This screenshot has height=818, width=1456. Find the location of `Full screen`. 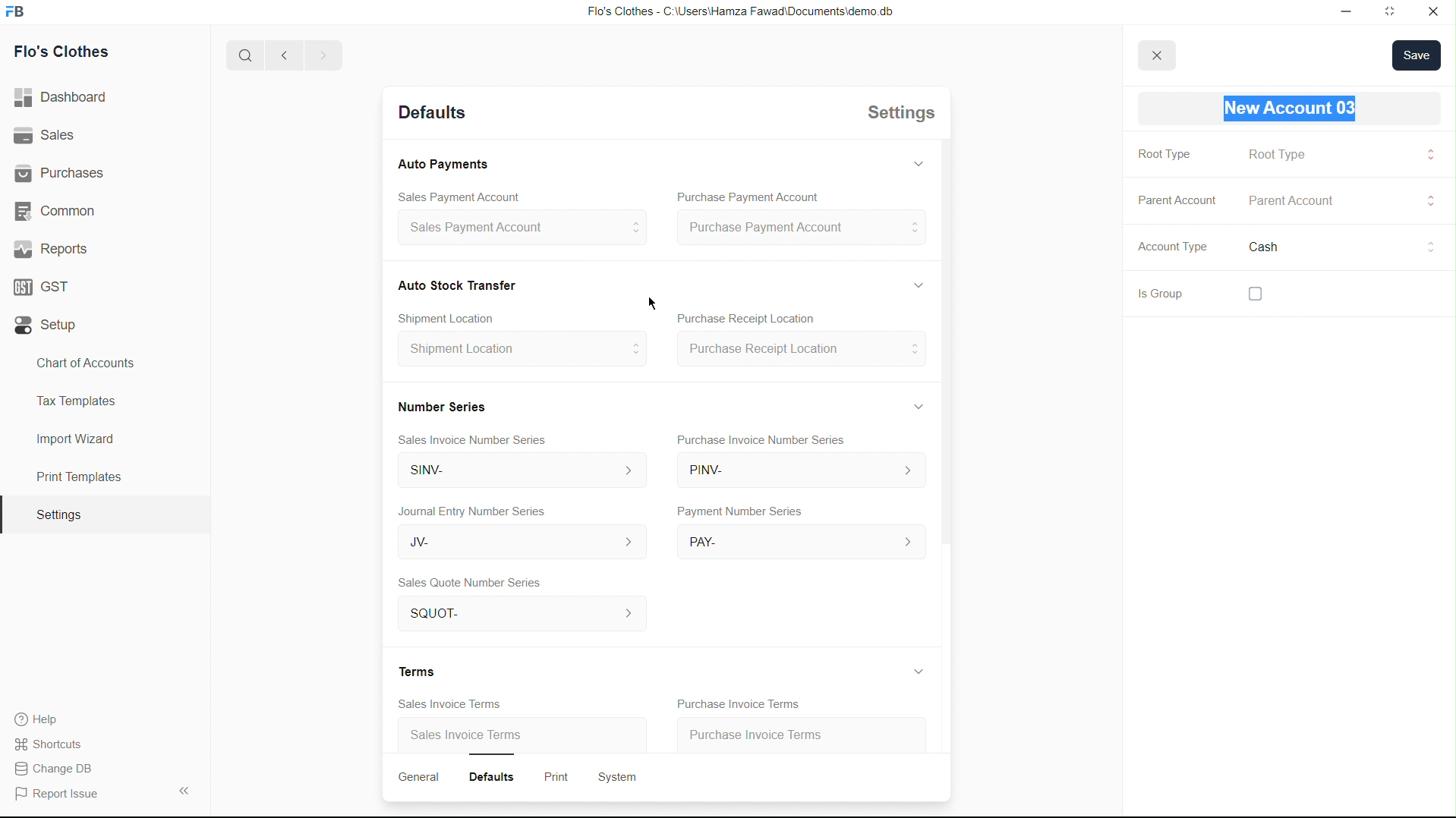

Full screen is located at coordinates (1391, 13).